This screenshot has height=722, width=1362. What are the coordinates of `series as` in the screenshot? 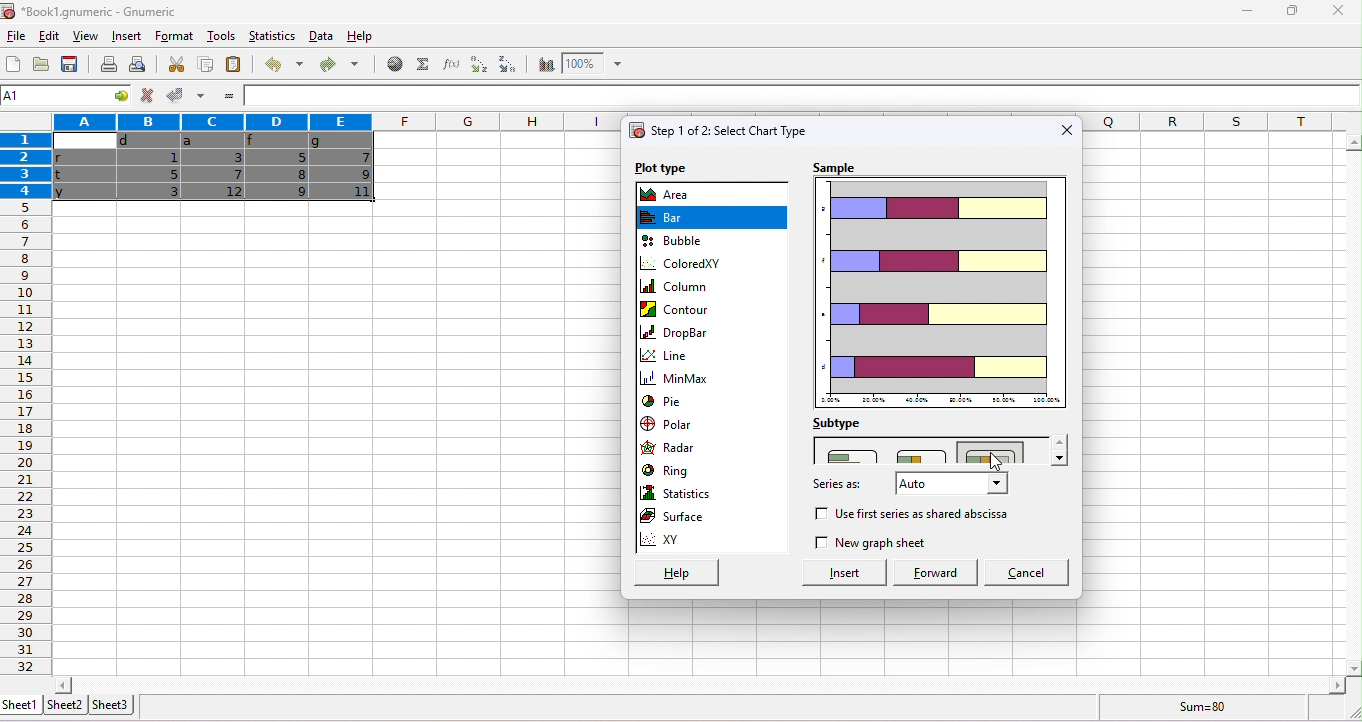 It's located at (839, 486).